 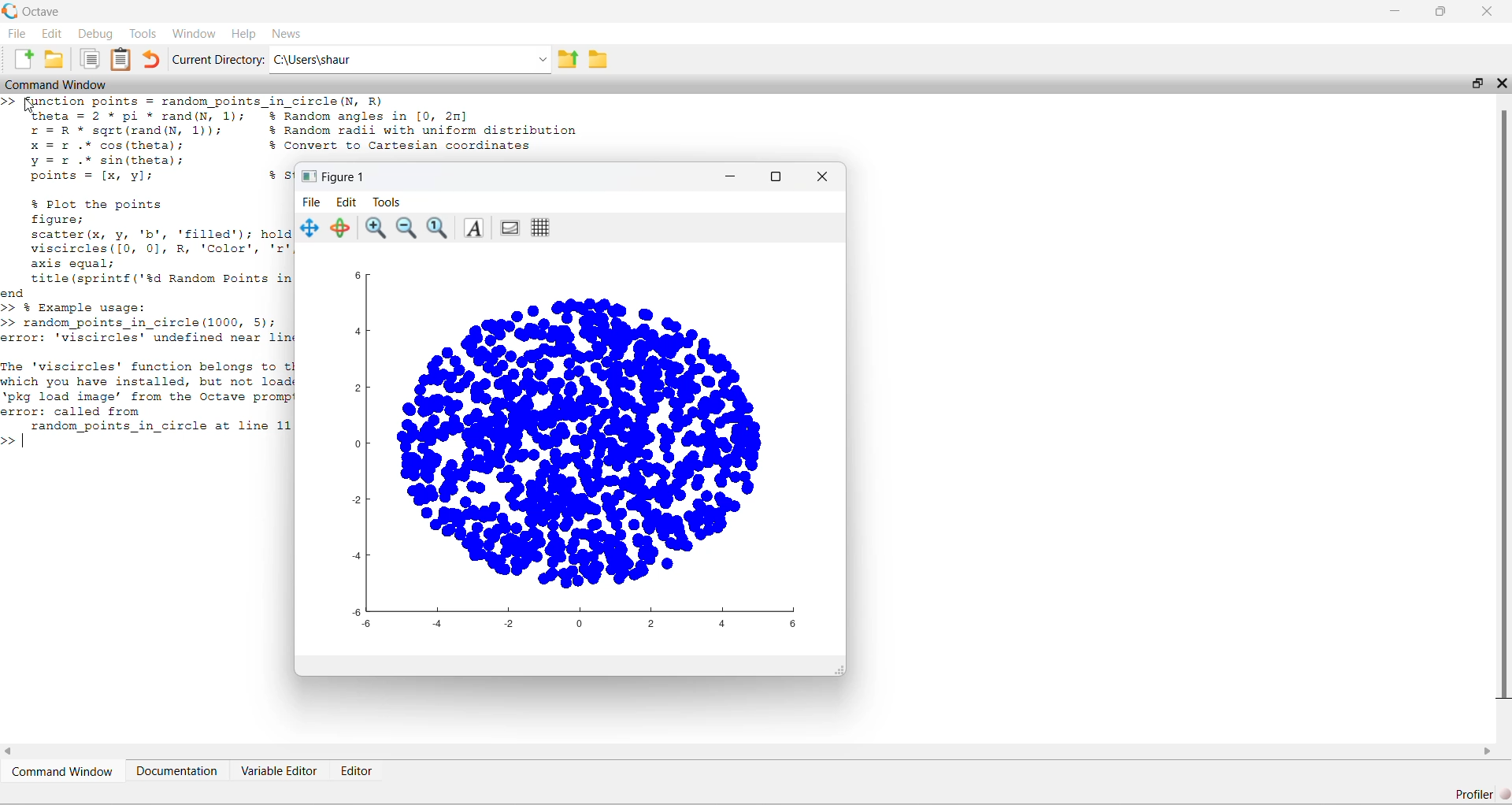 I want to click on Window, so click(x=193, y=34).